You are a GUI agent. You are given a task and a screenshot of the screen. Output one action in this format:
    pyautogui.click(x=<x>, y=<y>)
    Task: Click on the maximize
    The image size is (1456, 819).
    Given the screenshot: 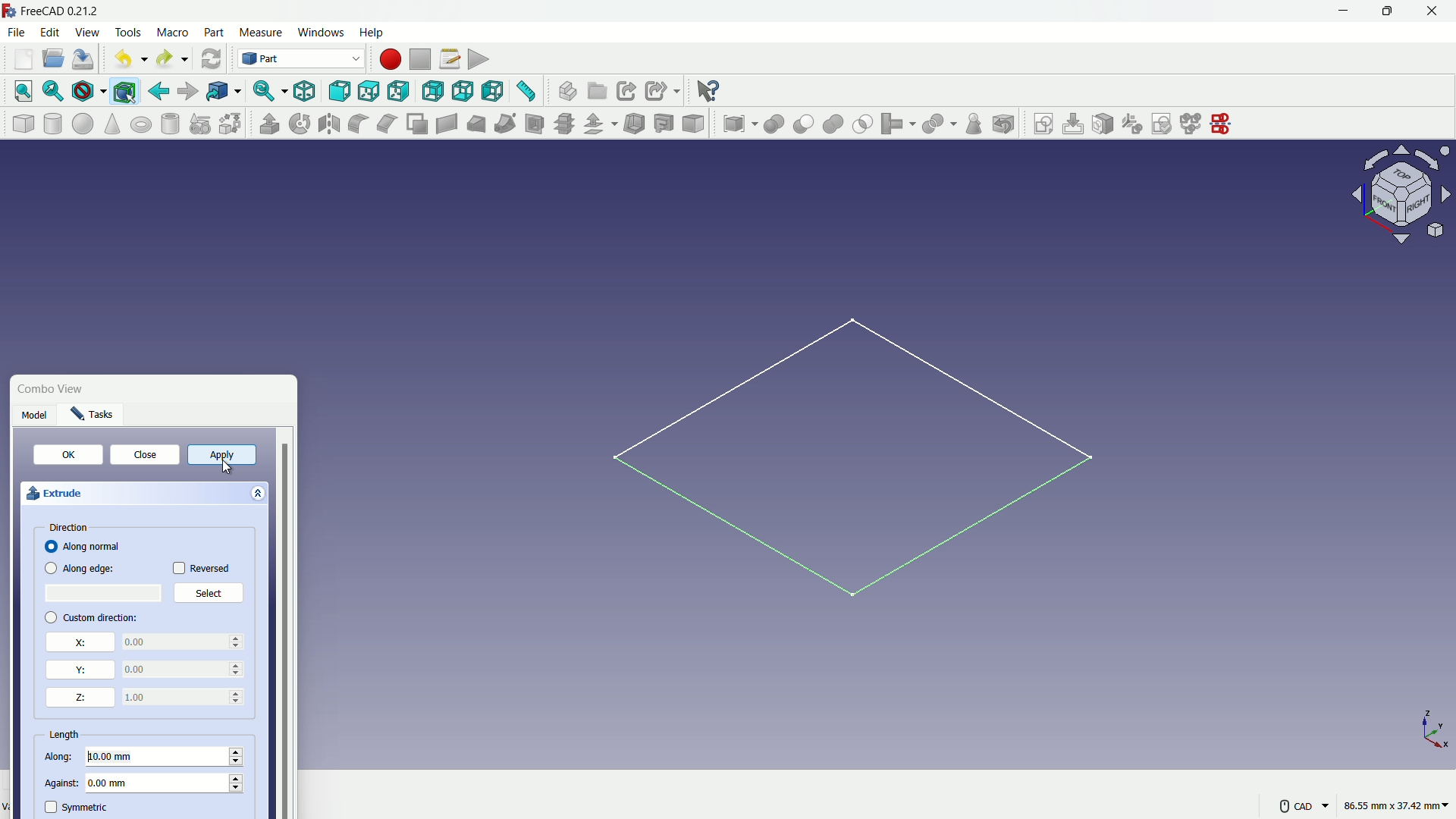 What is the action you would take?
    pyautogui.click(x=1391, y=12)
    